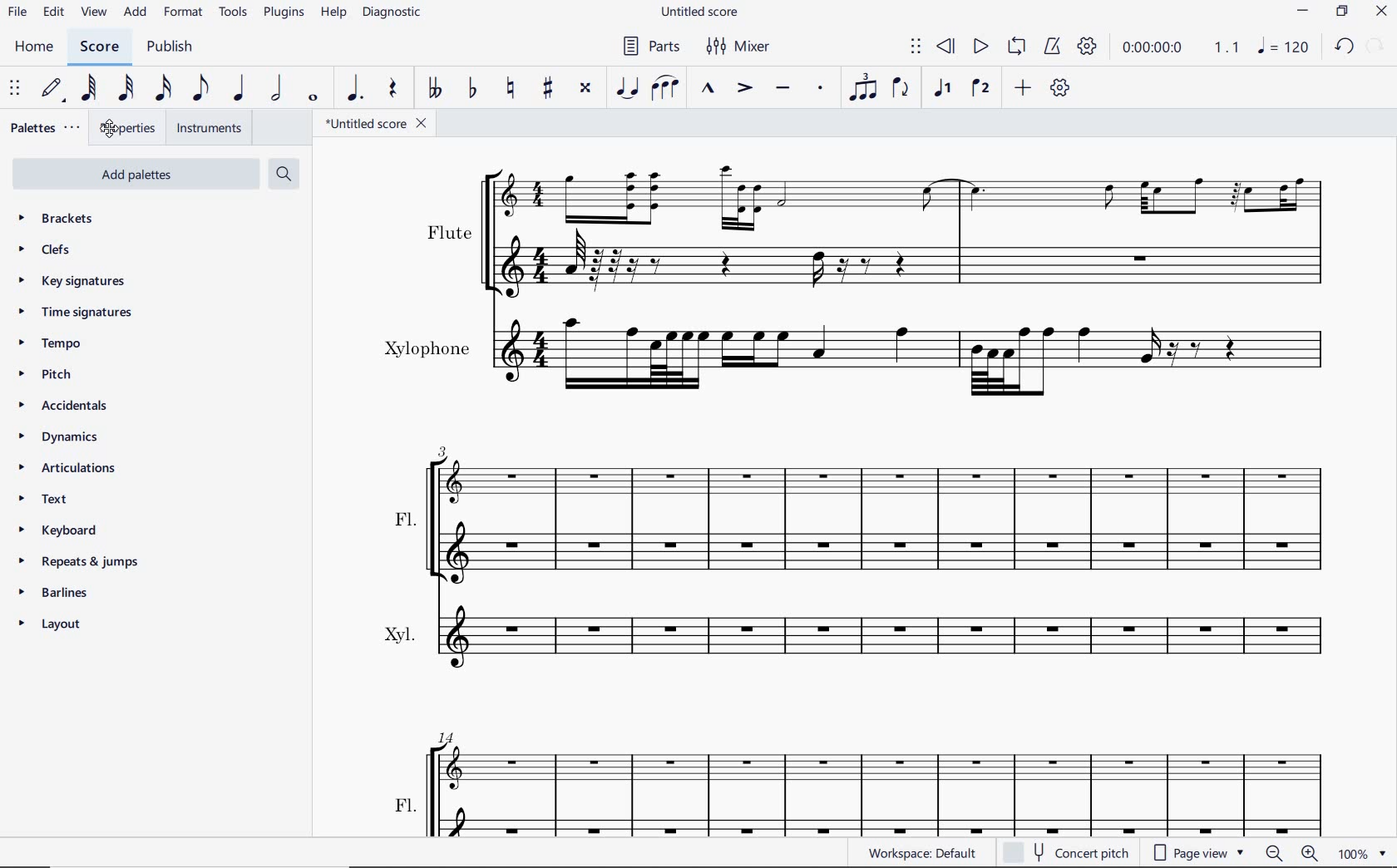 The width and height of the screenshot is (1397, 868). What do you see at coordinates (283, 17) in the screenshot?
I see `PLUGINS` at bounding box center [283, 17].